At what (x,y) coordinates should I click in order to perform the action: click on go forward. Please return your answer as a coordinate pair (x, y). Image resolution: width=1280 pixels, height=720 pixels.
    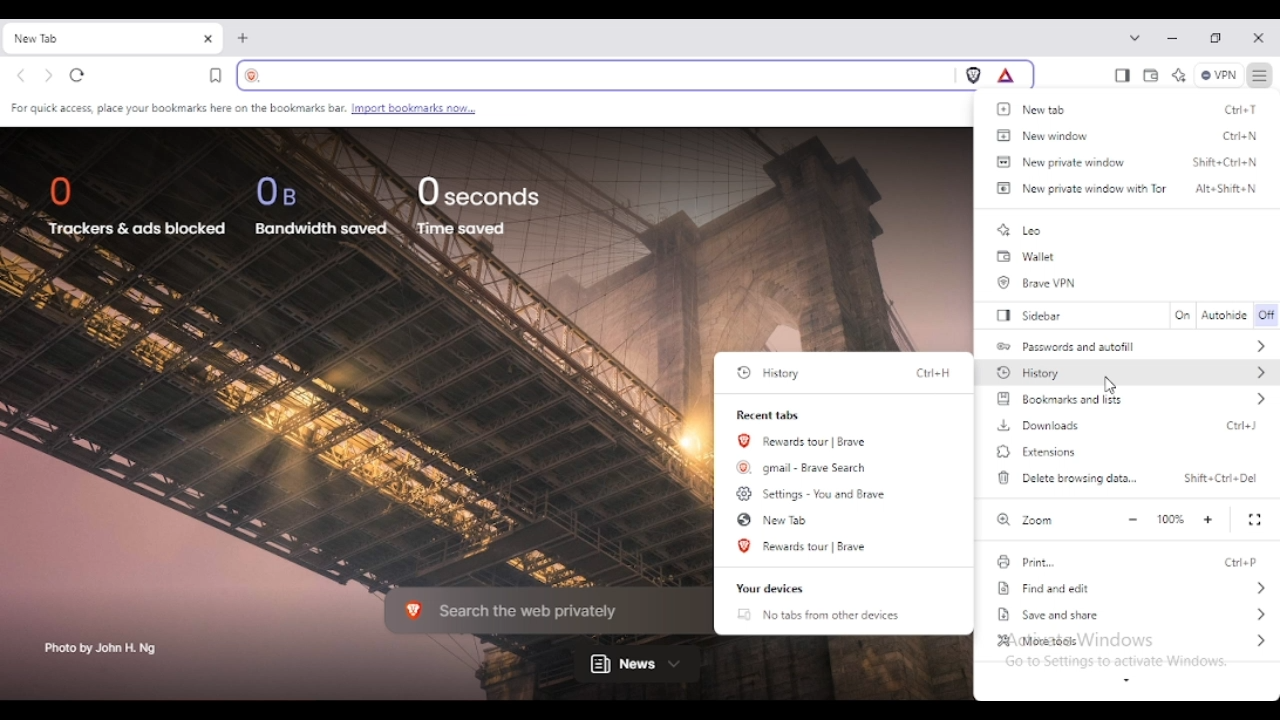
    Looking at the image, I should click on (49, 77).